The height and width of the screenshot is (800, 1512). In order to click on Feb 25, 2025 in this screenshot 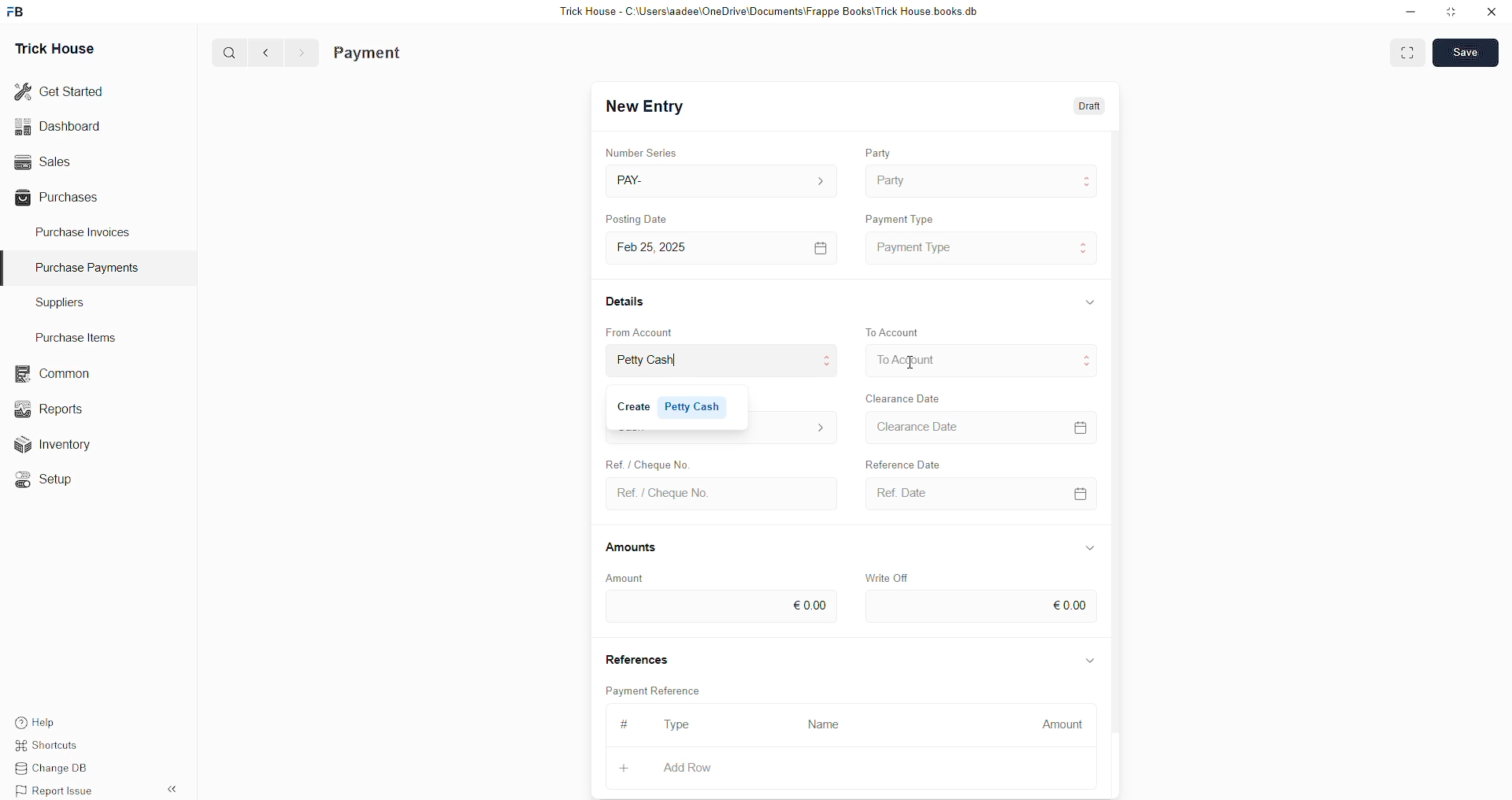, I will do `click(663, 247)`.